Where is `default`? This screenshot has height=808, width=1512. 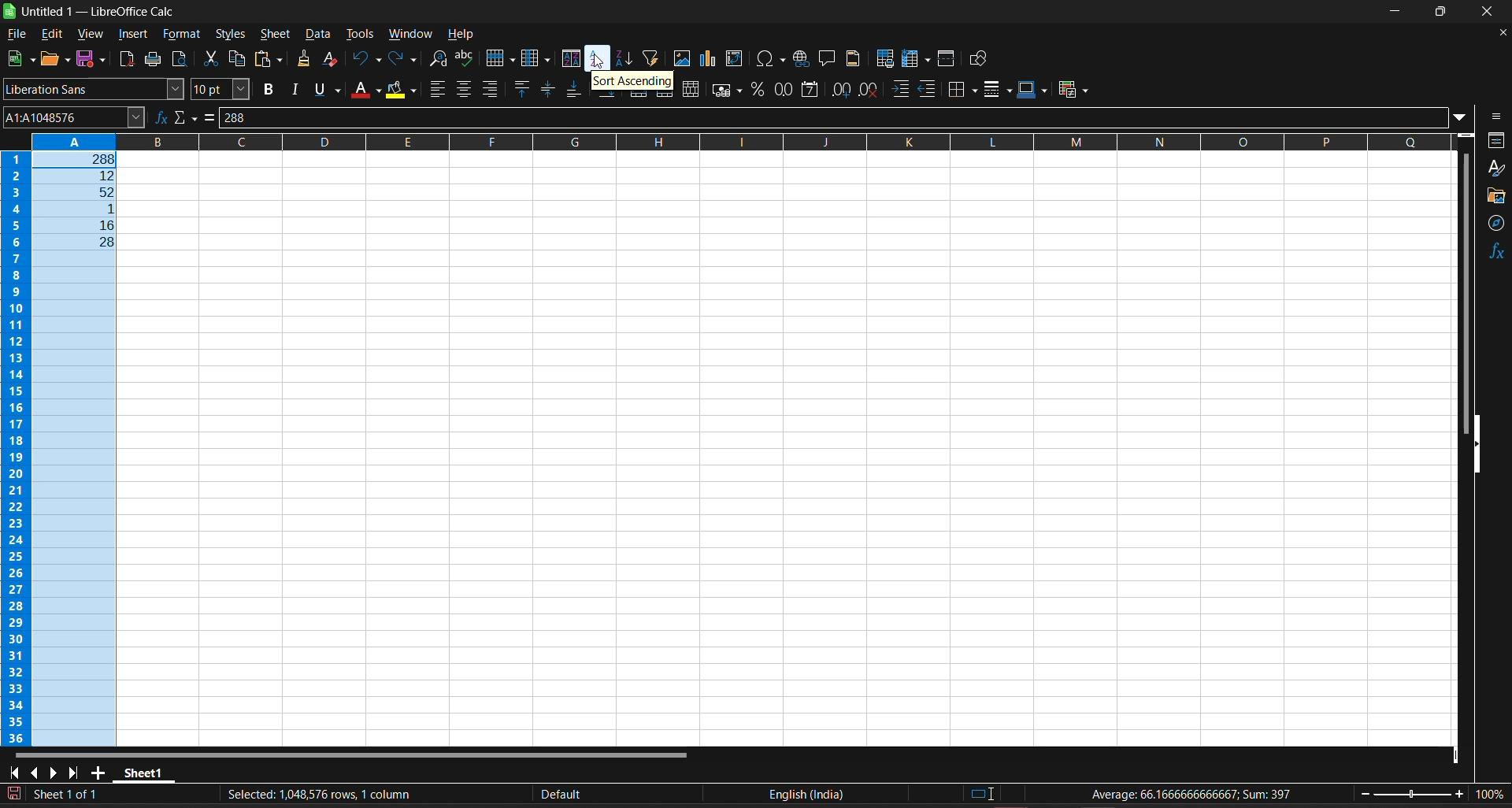 default is located at coordinates (564, 796).